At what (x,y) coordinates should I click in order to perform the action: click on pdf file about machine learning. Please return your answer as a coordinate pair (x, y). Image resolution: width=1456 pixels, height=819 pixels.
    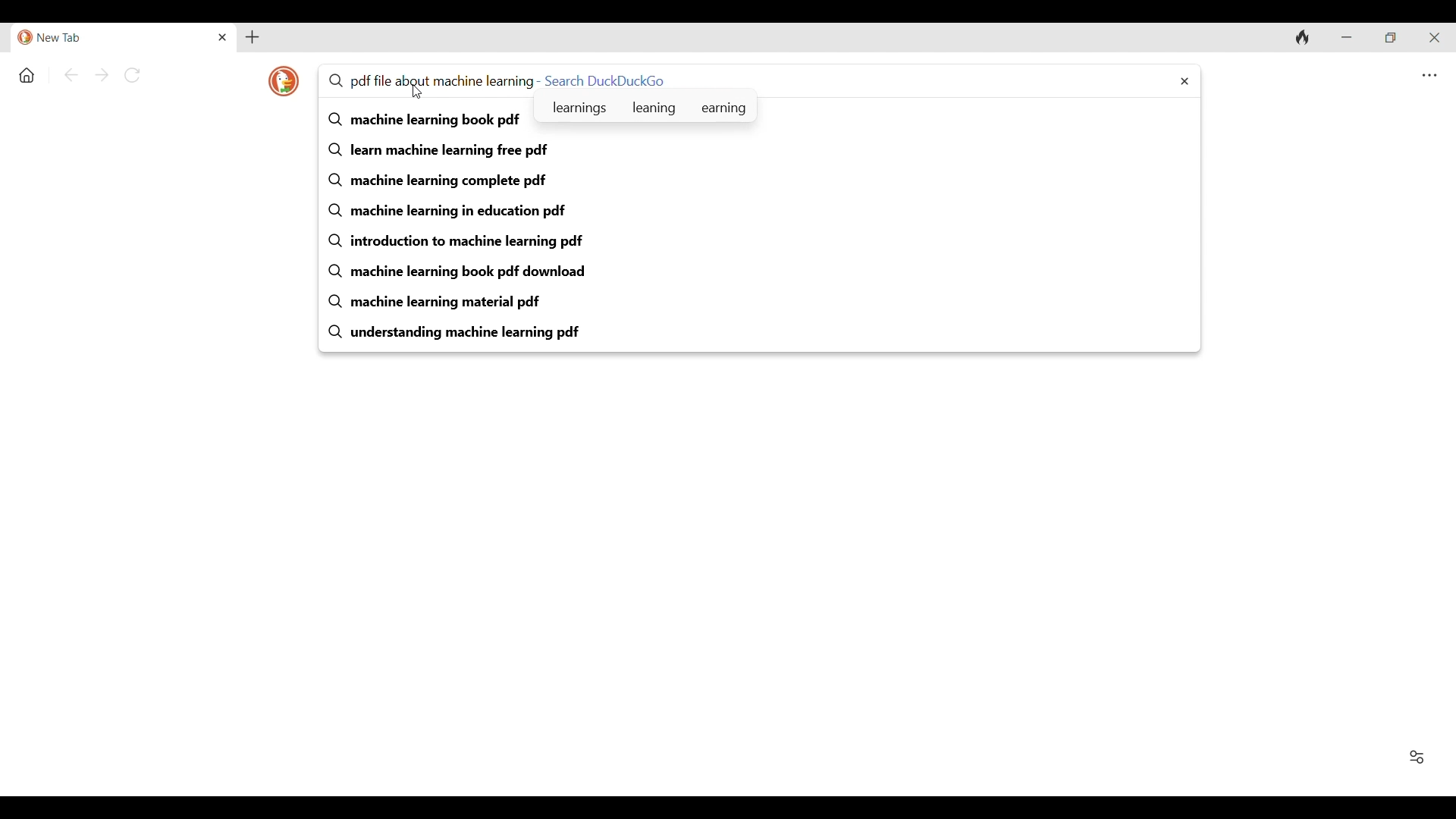
    Looking at the image, I should click on (429, 80).